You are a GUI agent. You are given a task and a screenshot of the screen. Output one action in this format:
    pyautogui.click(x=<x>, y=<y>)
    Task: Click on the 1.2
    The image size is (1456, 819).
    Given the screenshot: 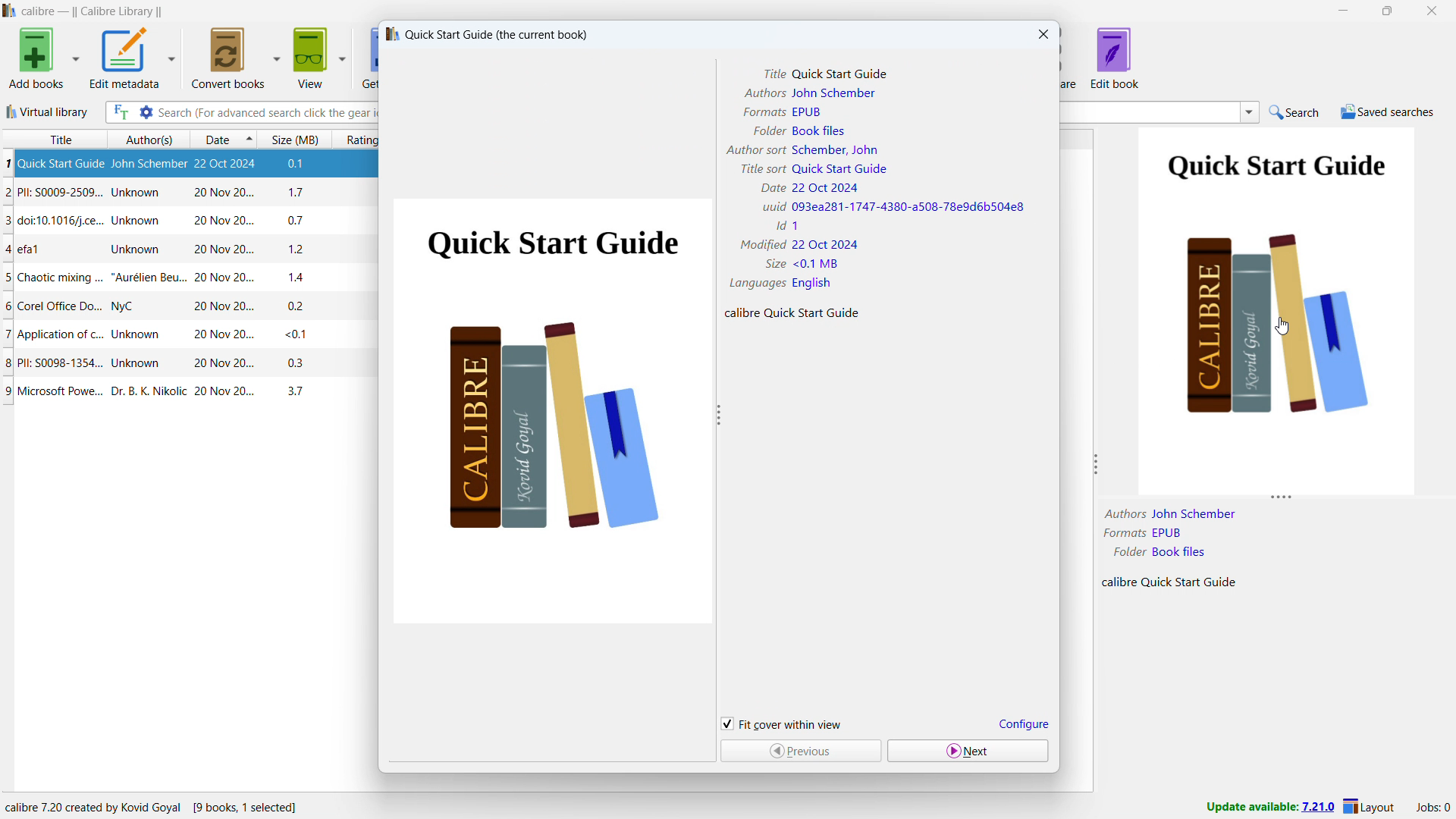 What is the action you would take?
    pyautogui.click(x=296, y=249)
    